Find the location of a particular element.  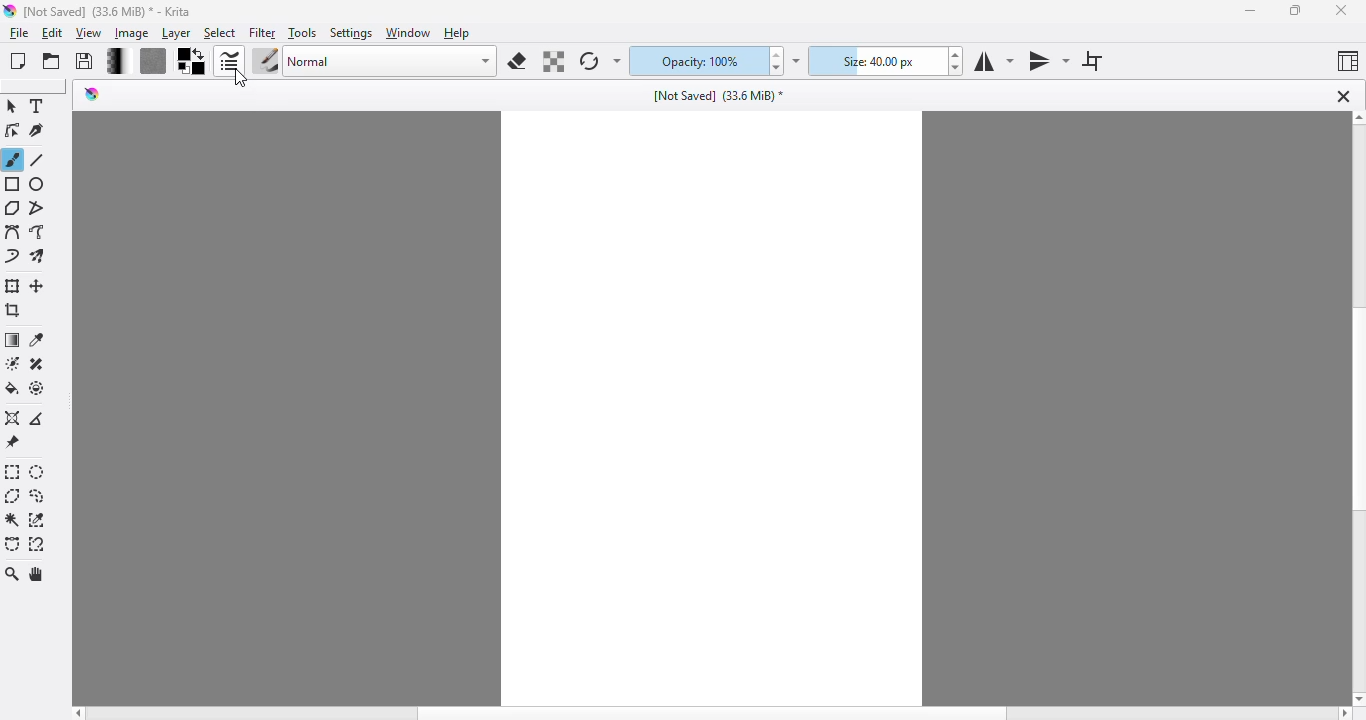

set eraser mode is located at coordinates (517, 61).